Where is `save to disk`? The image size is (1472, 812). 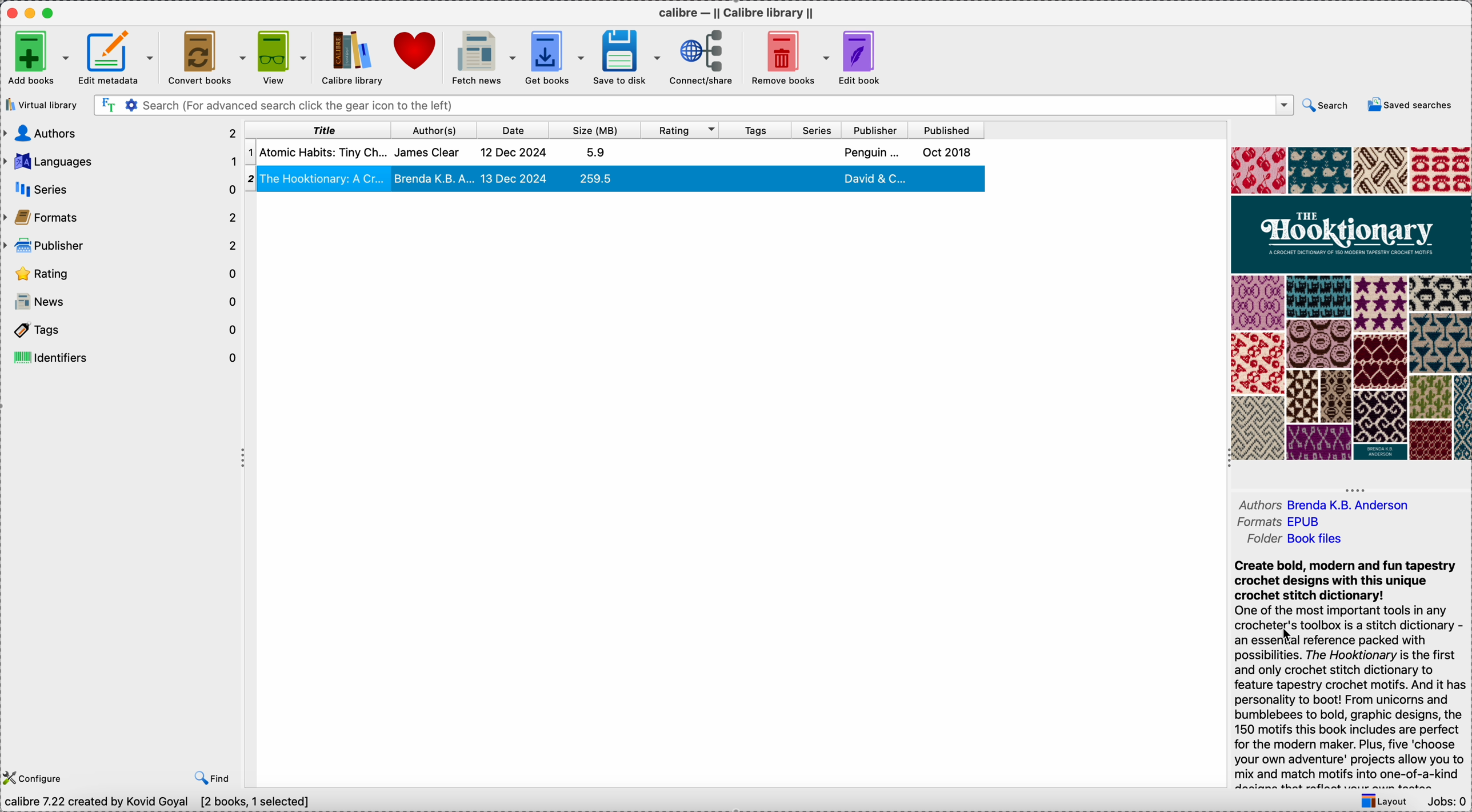
save to disk is located at coordinates (630, 58).